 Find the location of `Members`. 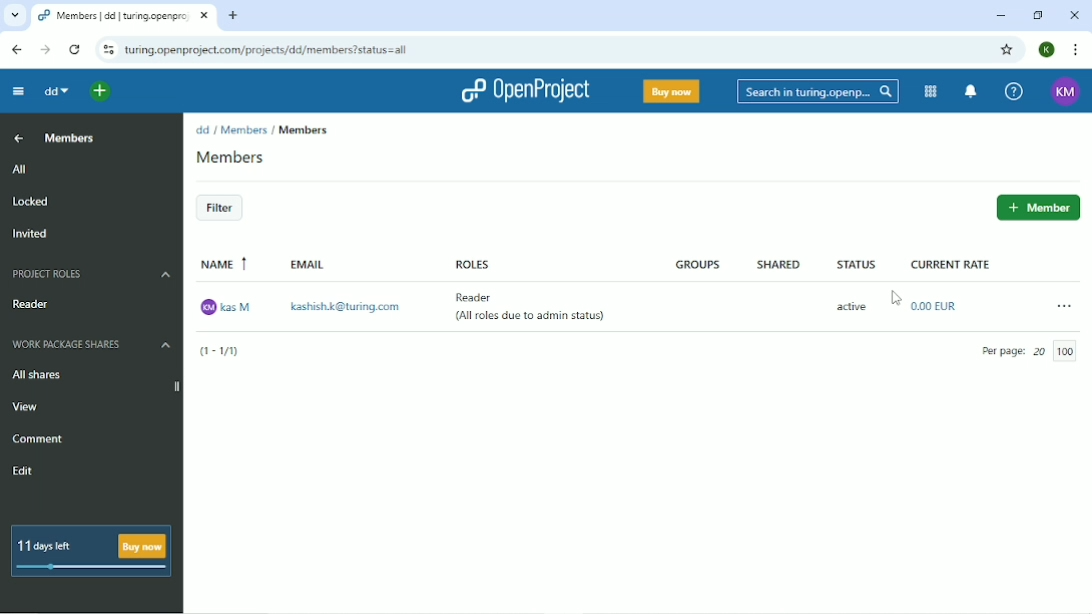

Members is located at coordinates (71, 138).